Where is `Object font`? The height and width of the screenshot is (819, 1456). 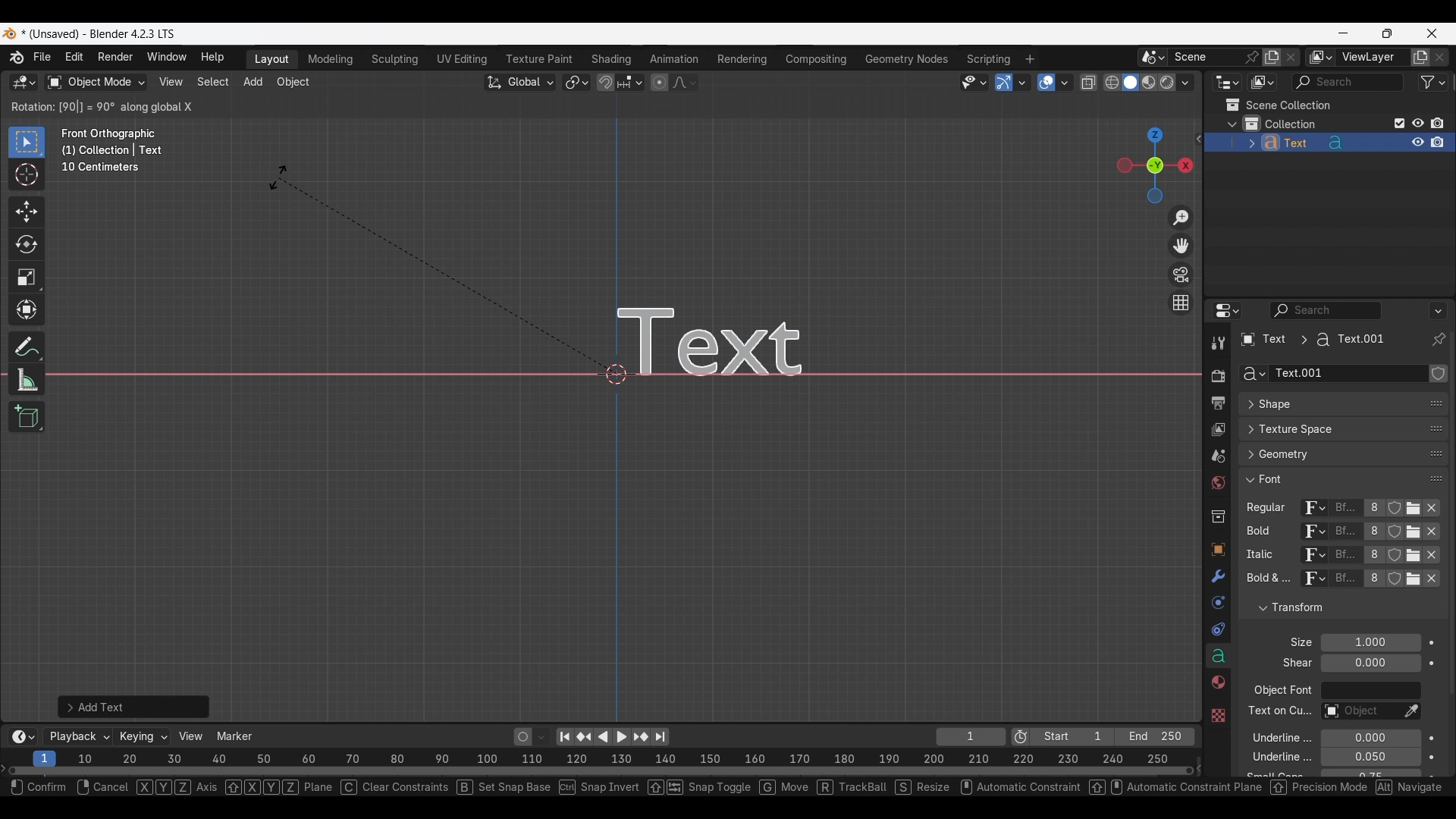 Object font is located at coordinates (1370, 691).